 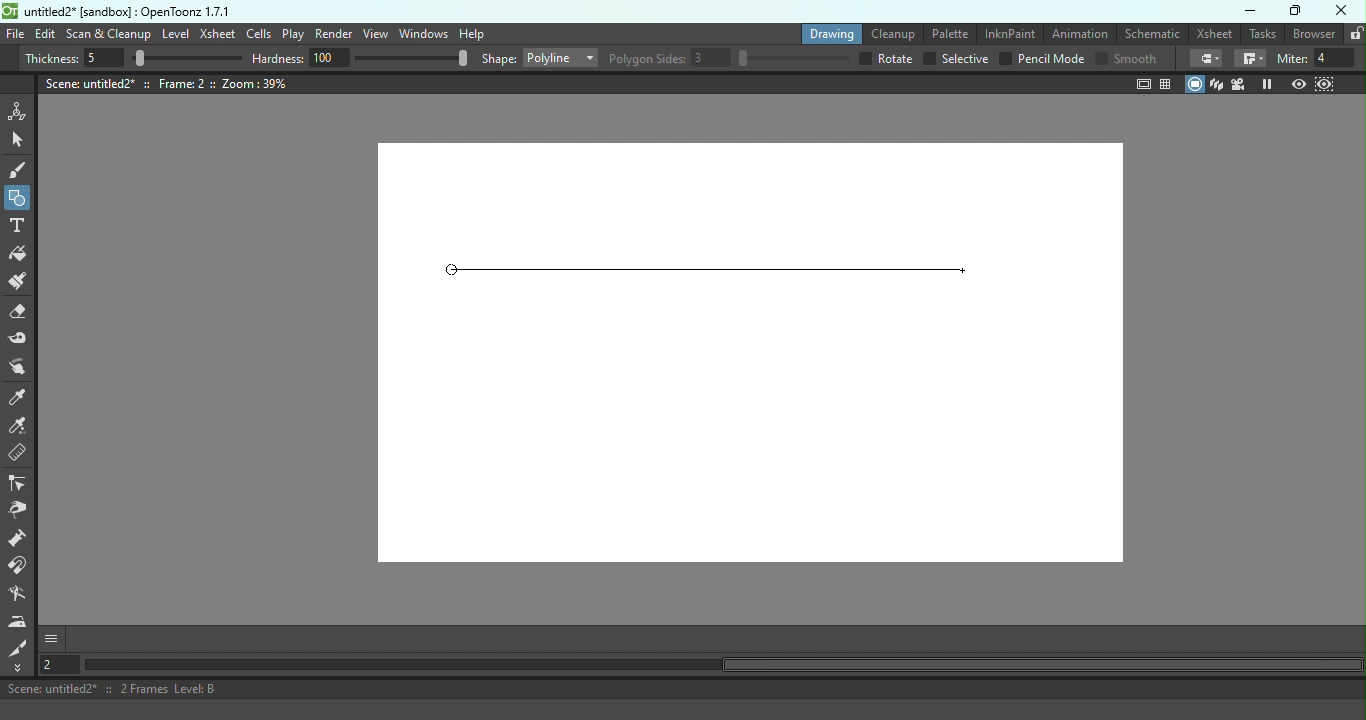 What do you see at coordinates (21, 648) in the screenshot?
I see `Cutter tool` at bounding box center [21, 648].